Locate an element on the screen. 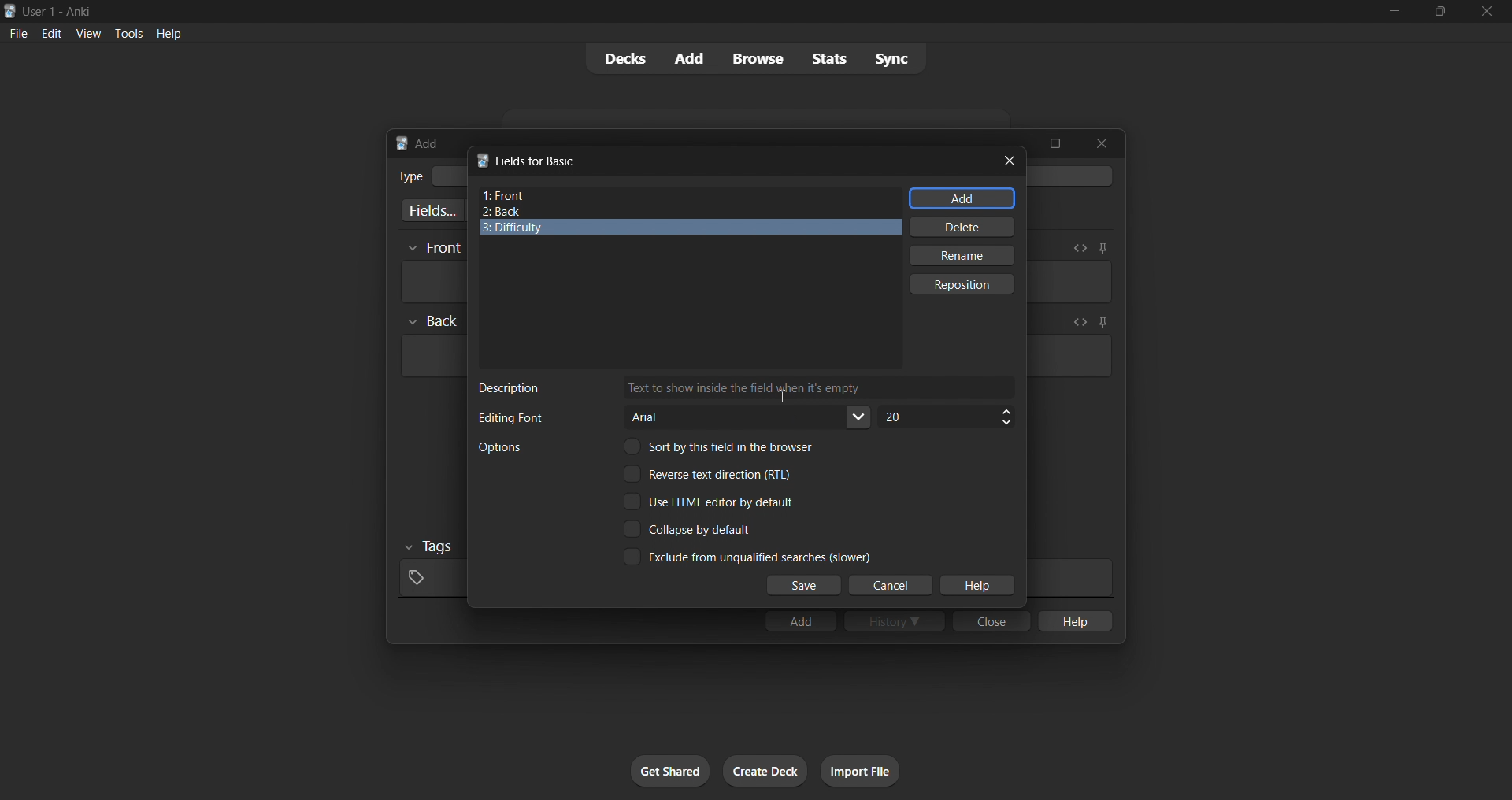 The image size is (1512, 800). add is located at coordinates (800, 620).